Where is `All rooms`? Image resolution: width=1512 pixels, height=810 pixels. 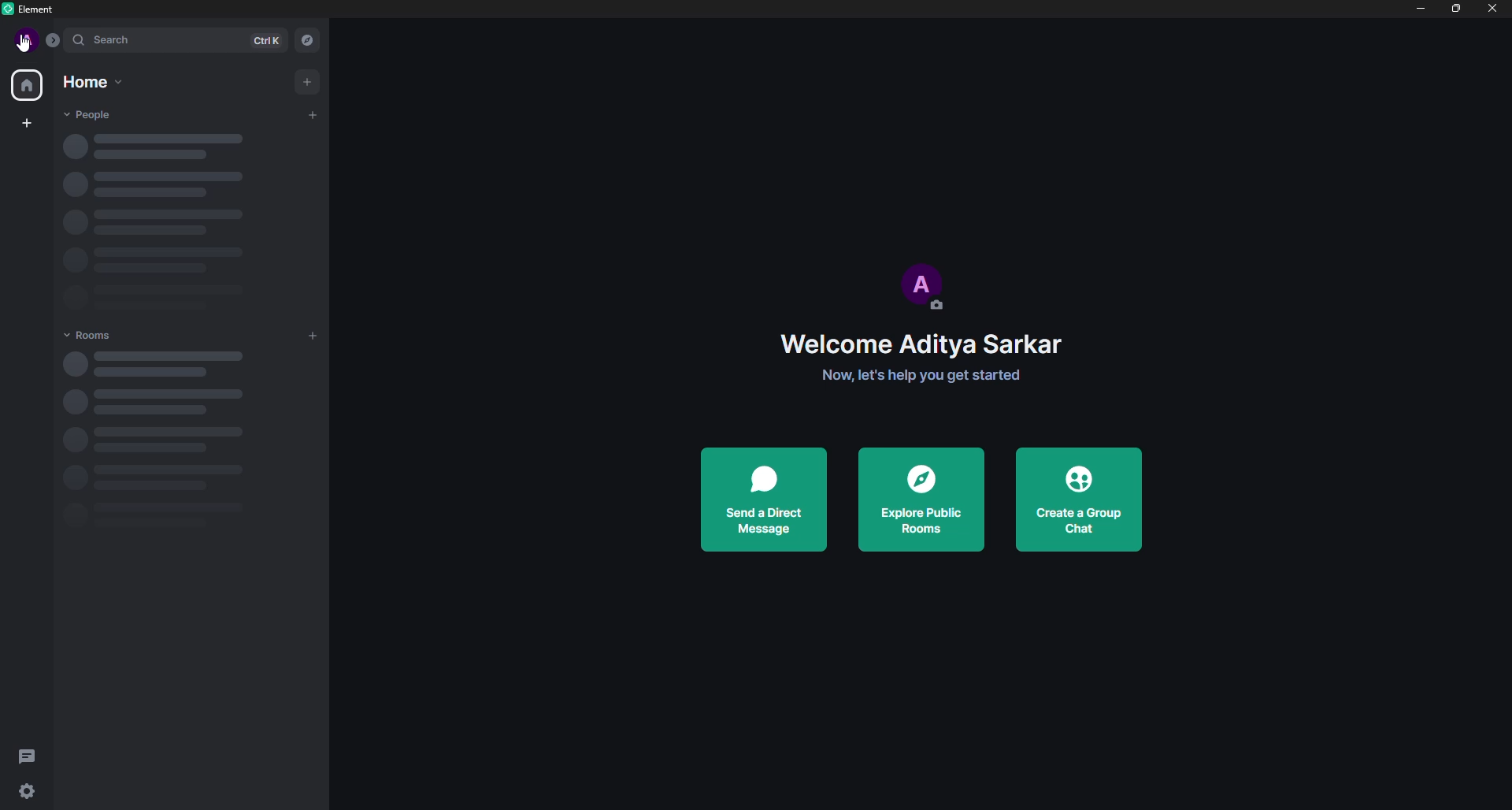 All rooms is located at coordinates (27, 86).